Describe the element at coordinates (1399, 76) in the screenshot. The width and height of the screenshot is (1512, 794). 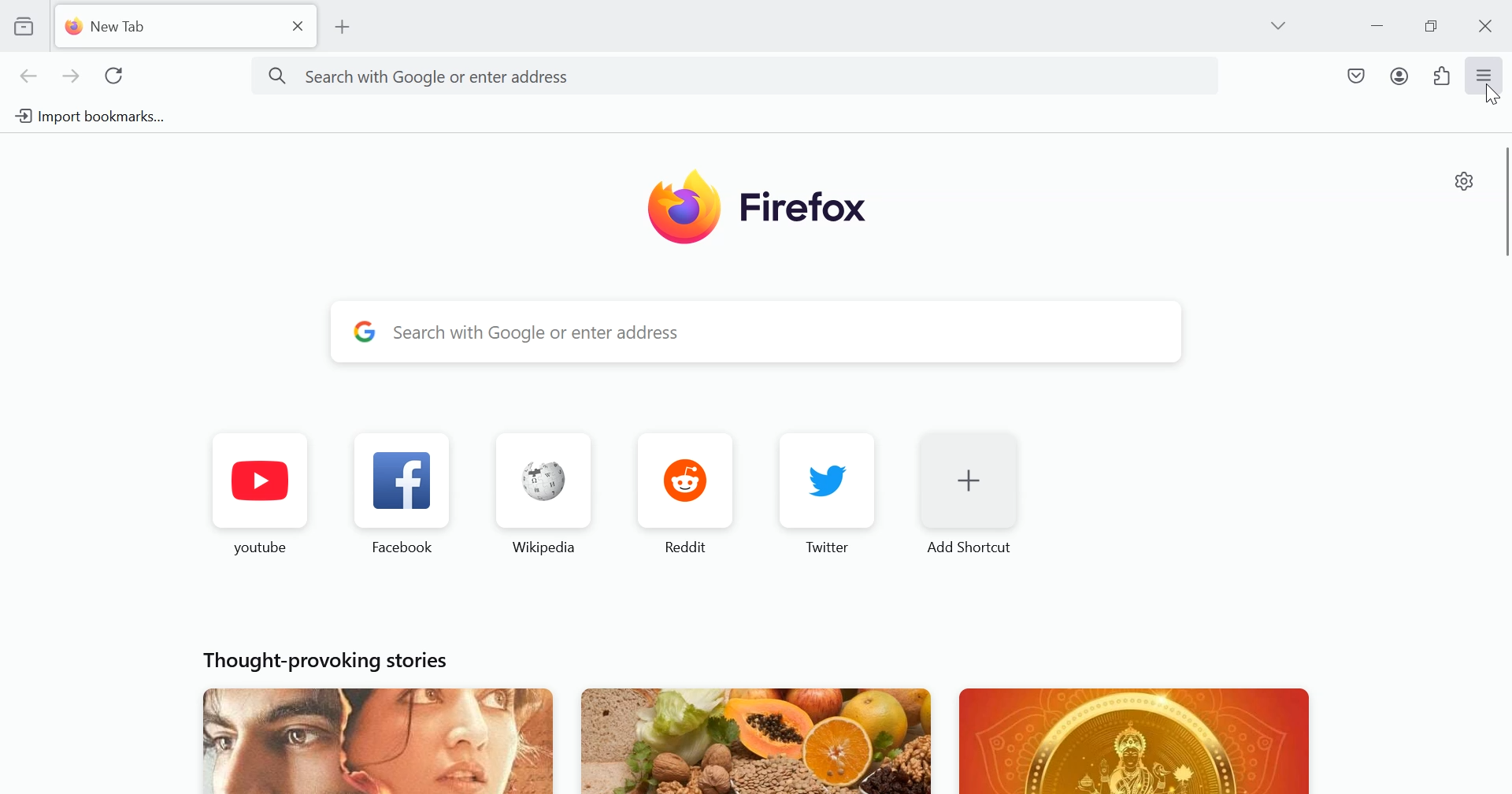
I see `Account` at that location.